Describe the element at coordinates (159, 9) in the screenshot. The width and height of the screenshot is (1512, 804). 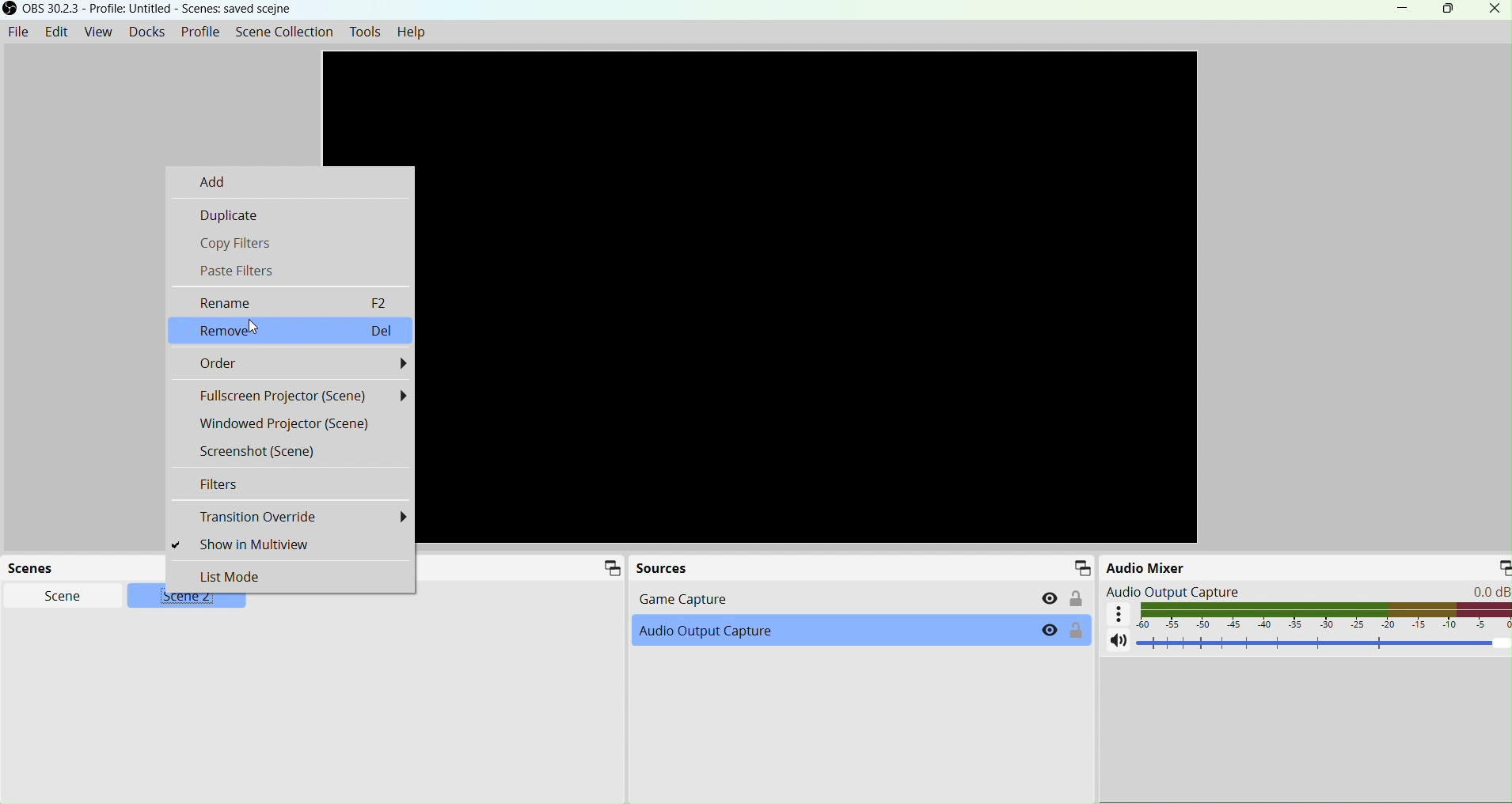
I see `OBS 30.2.3 - Profile: Untitled - Scenes: saved scejne` at that location.